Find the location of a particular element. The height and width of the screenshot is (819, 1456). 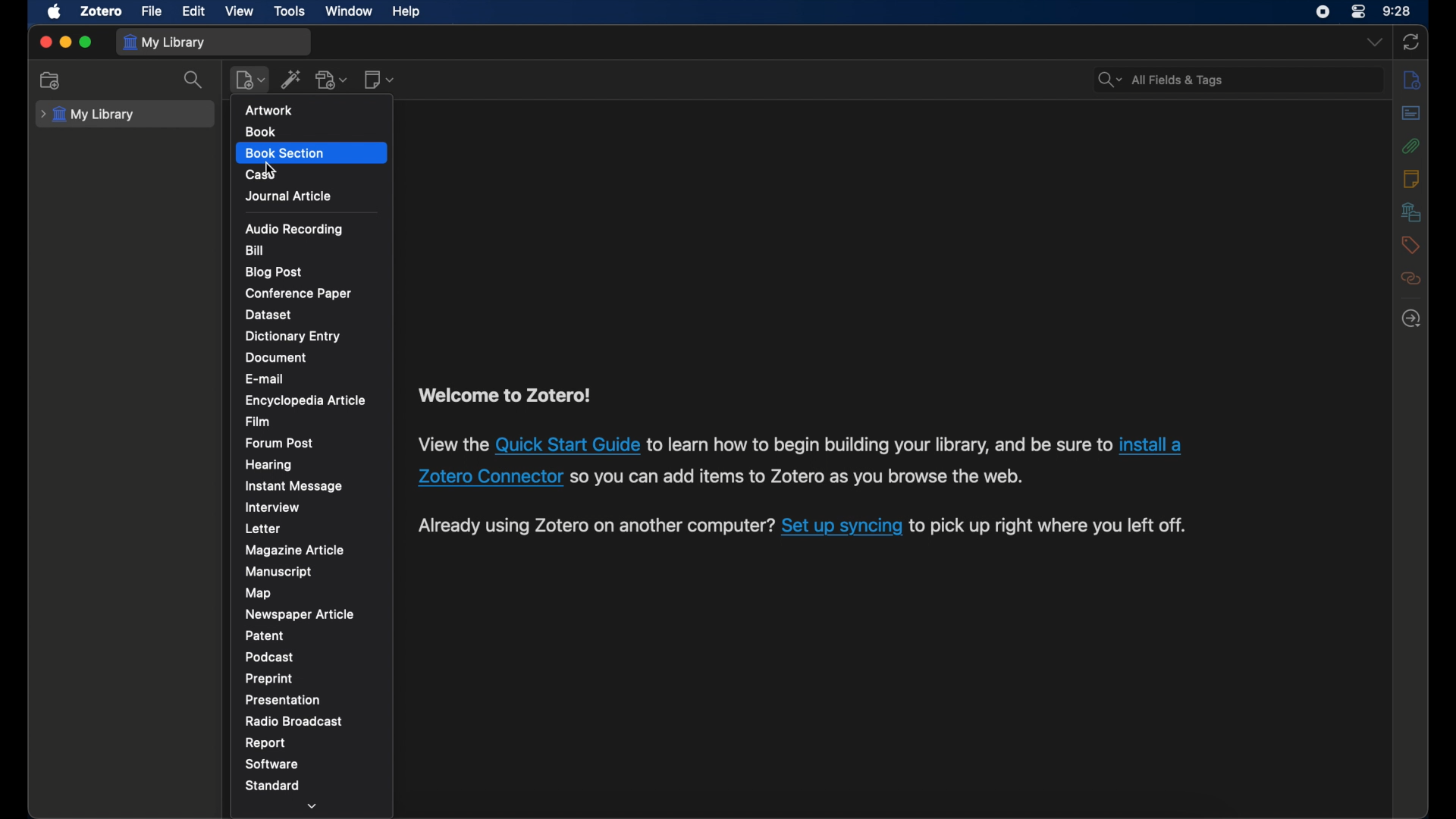

tags is located at coordinates (1410, 245).